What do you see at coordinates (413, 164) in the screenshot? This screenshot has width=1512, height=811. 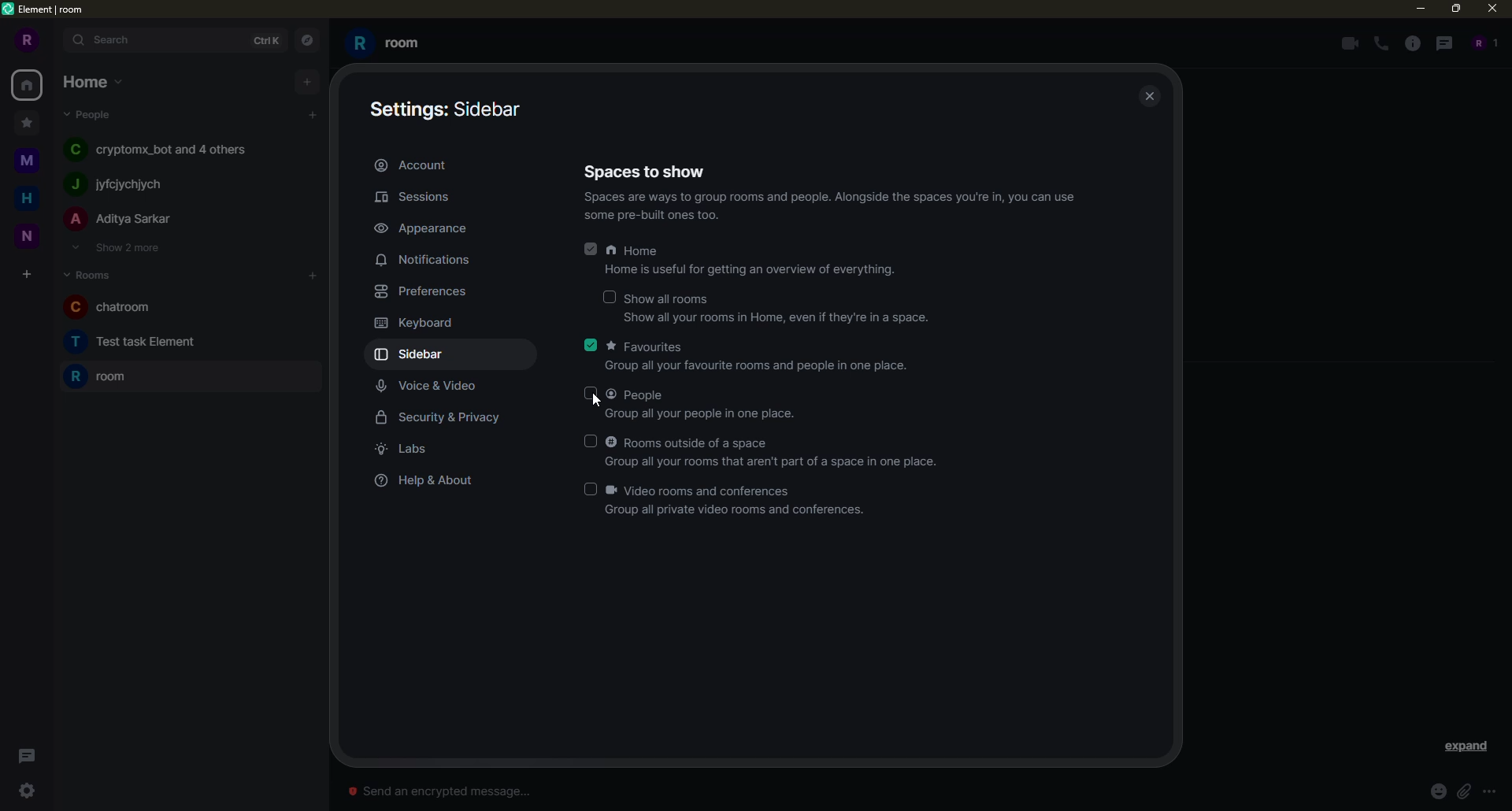 I see `account` at bounding box center [413, 164].